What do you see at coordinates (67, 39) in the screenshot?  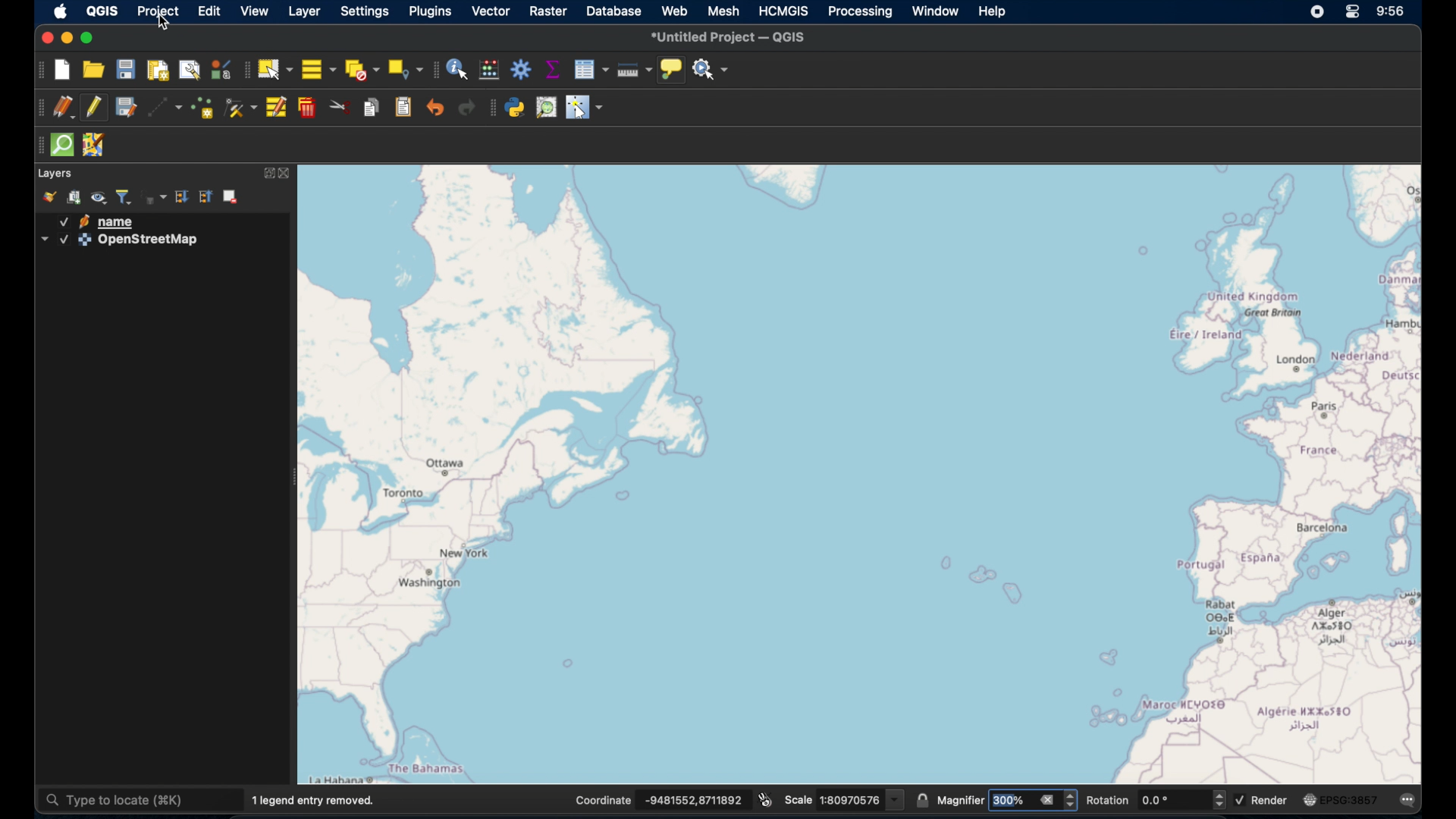 I see `minimize` at bounding box center [67, 39].